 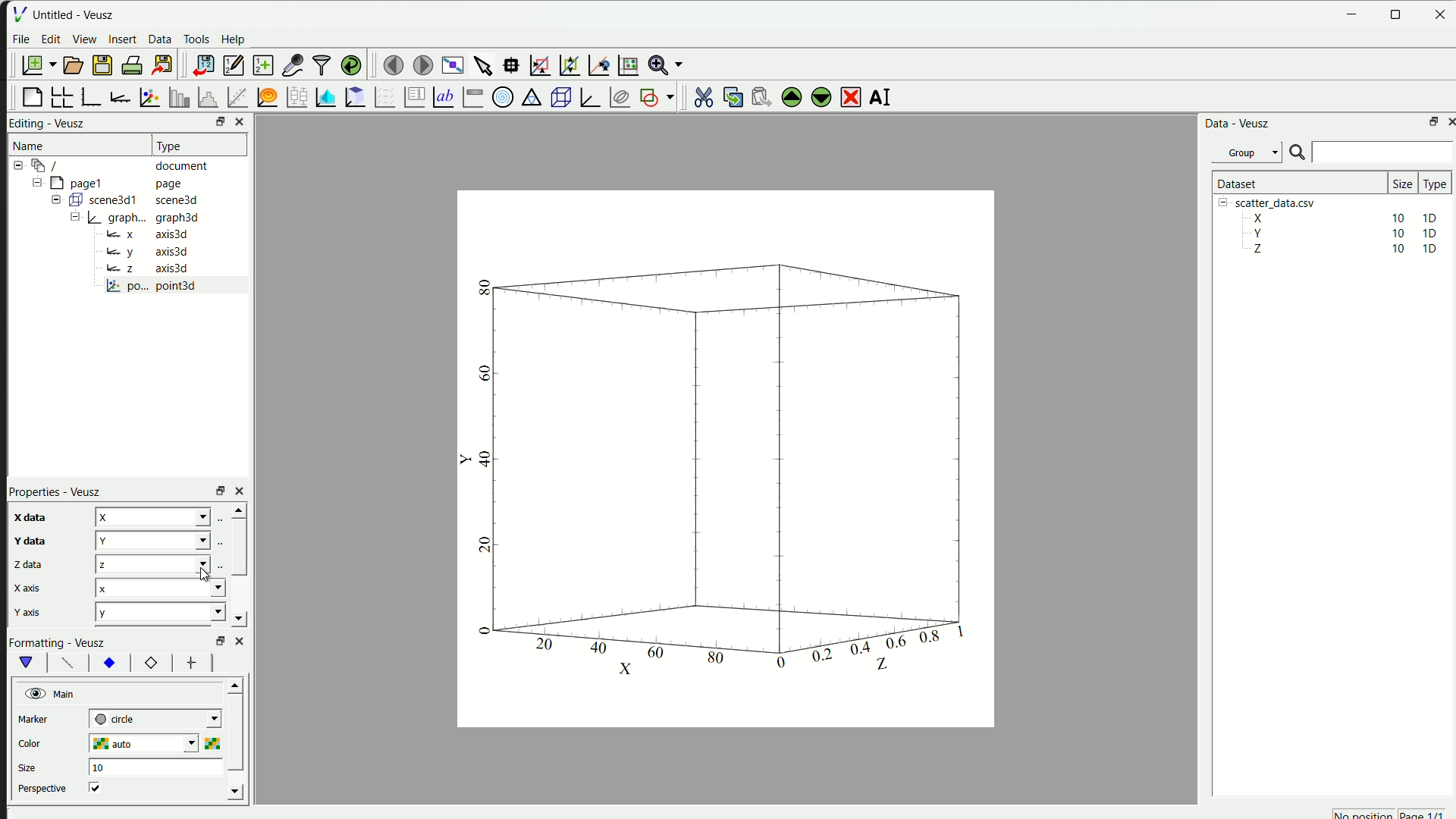 What do you see at coordinates (61, 96) in the screenshot?
I see `arrange graph in grid` at bounding box center [61, 96].